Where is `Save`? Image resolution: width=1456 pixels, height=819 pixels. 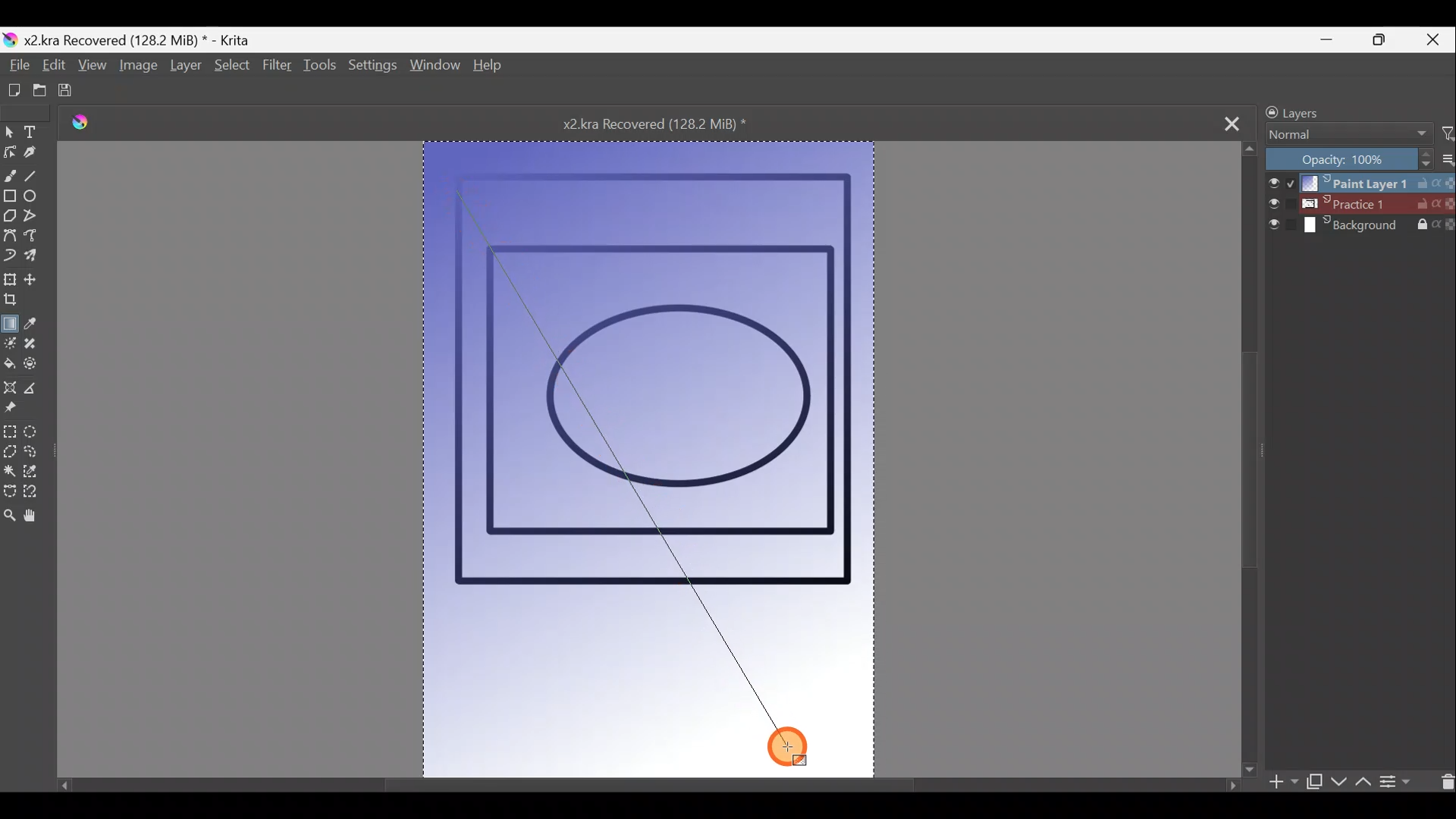 Save is located at coordinates (72, 92).